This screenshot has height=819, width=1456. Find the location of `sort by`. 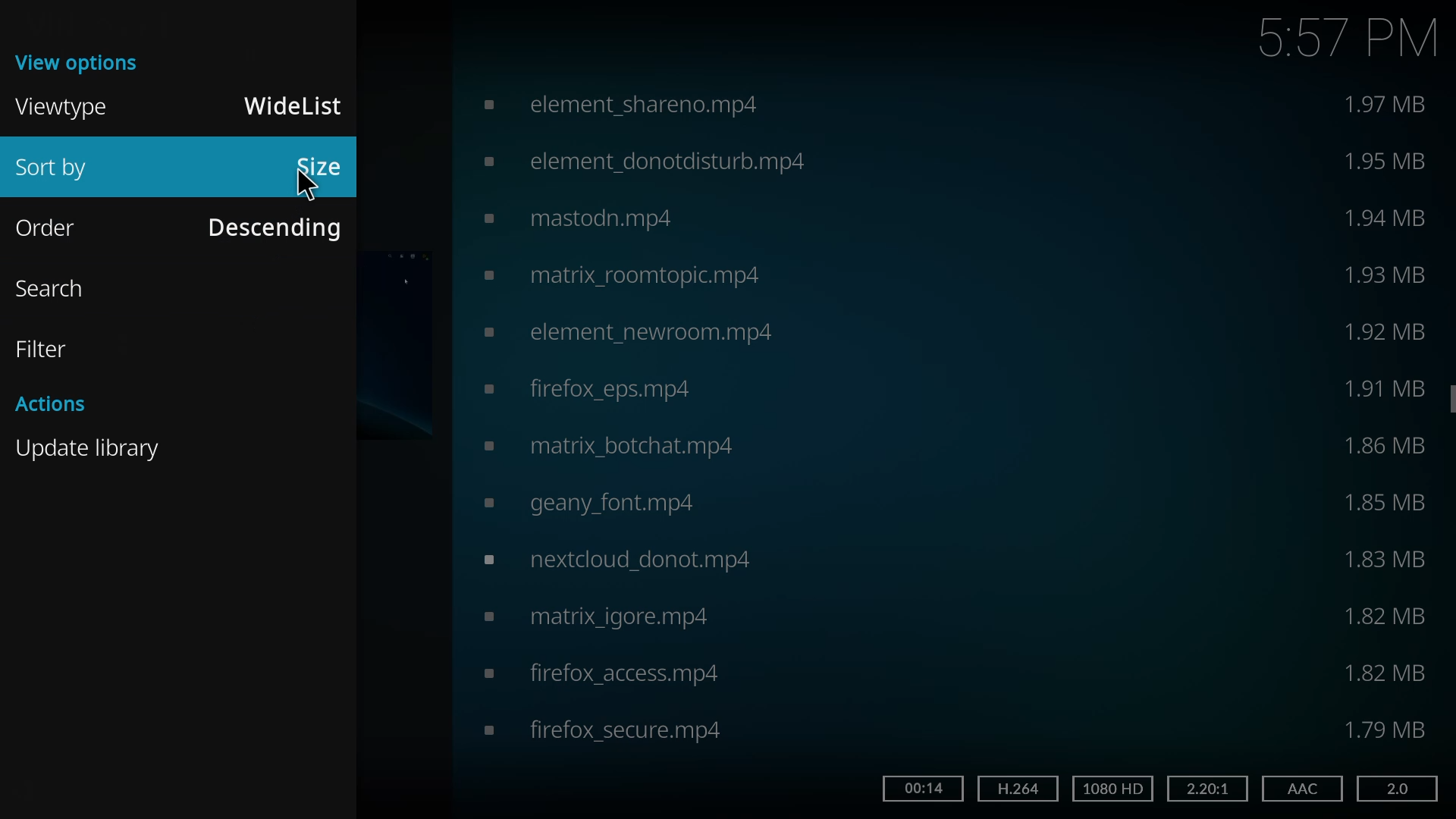

sort by is located at coordinates (66, 170).